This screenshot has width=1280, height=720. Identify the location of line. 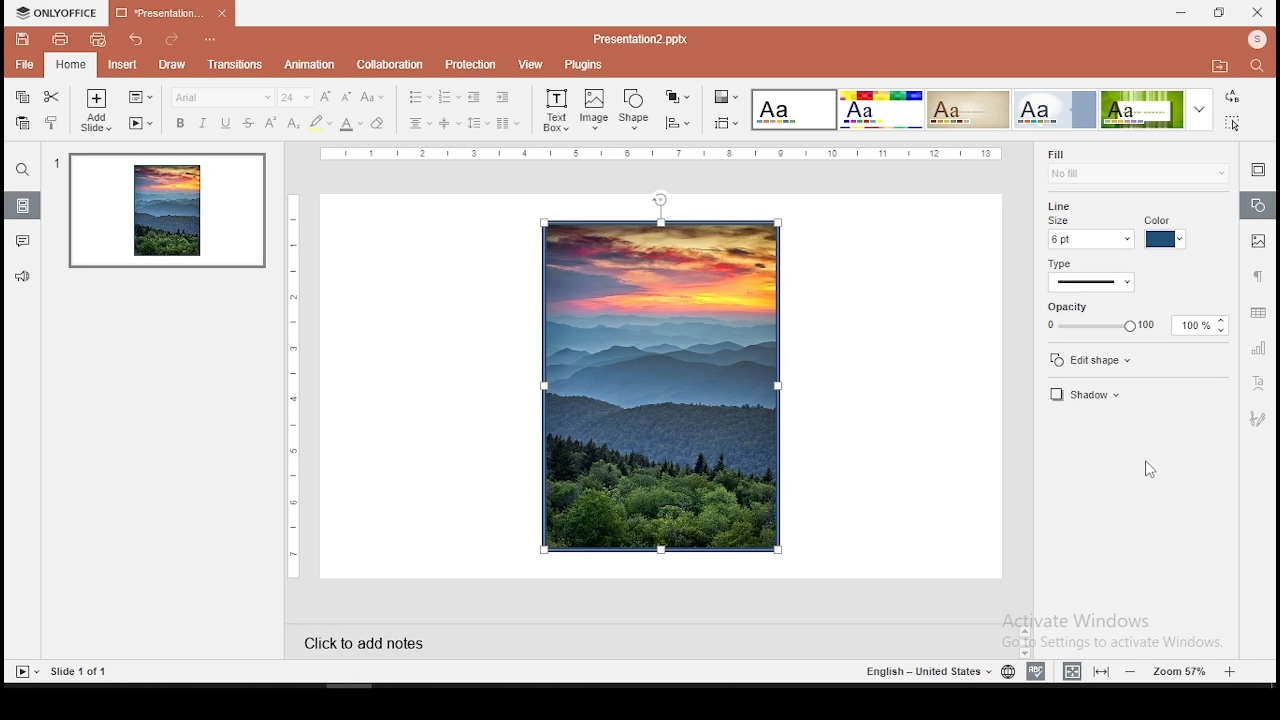
(1060, 205).